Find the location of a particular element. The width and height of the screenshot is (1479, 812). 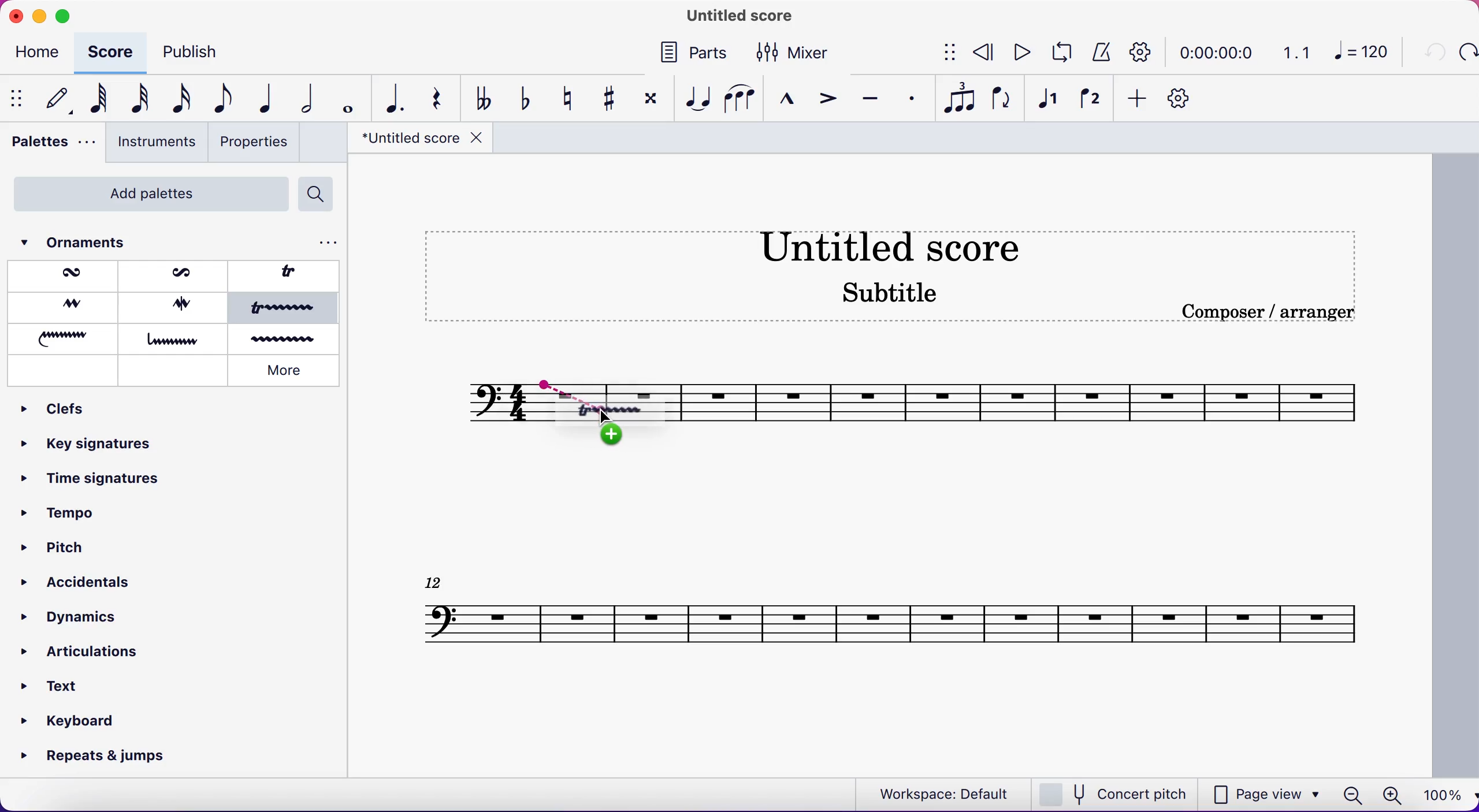

half note is located at coordinates (302, 98).